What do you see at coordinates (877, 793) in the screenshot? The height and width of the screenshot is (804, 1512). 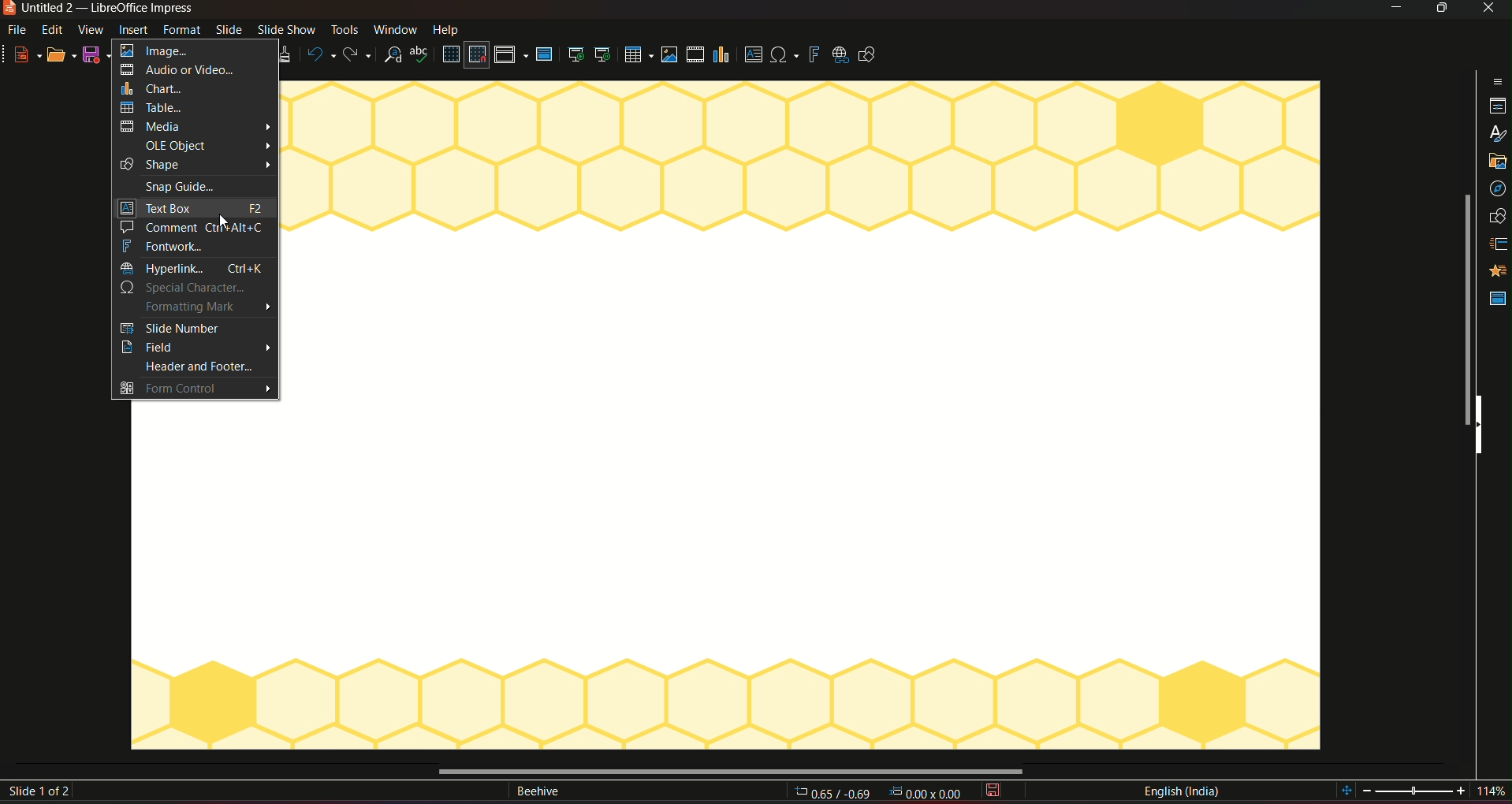 I see `dimensions` at bounding box center [877, 793].